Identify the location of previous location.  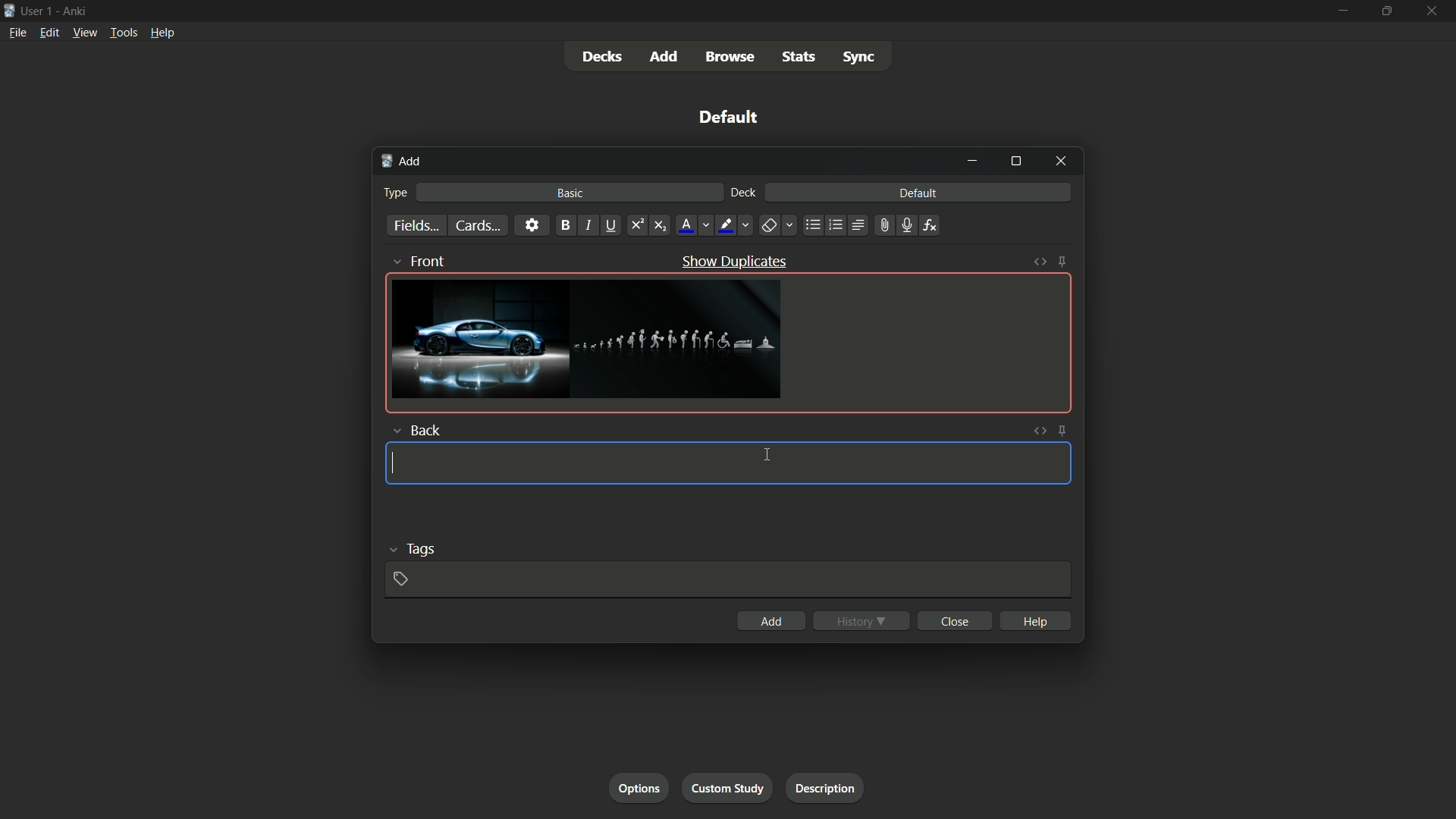
(835, 224).